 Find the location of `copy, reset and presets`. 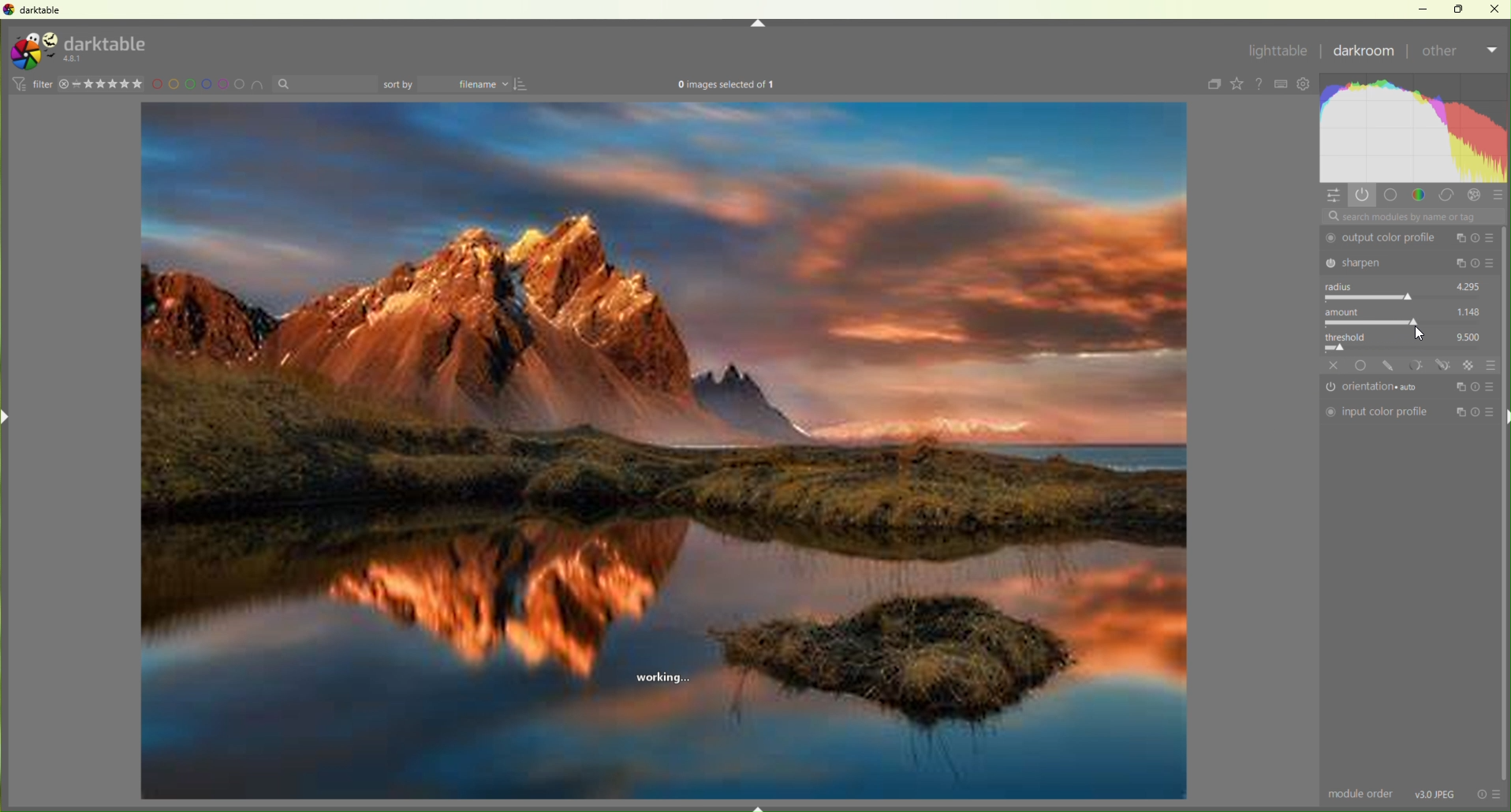

copy, reset and presets is located at coordinates (1476, 413).